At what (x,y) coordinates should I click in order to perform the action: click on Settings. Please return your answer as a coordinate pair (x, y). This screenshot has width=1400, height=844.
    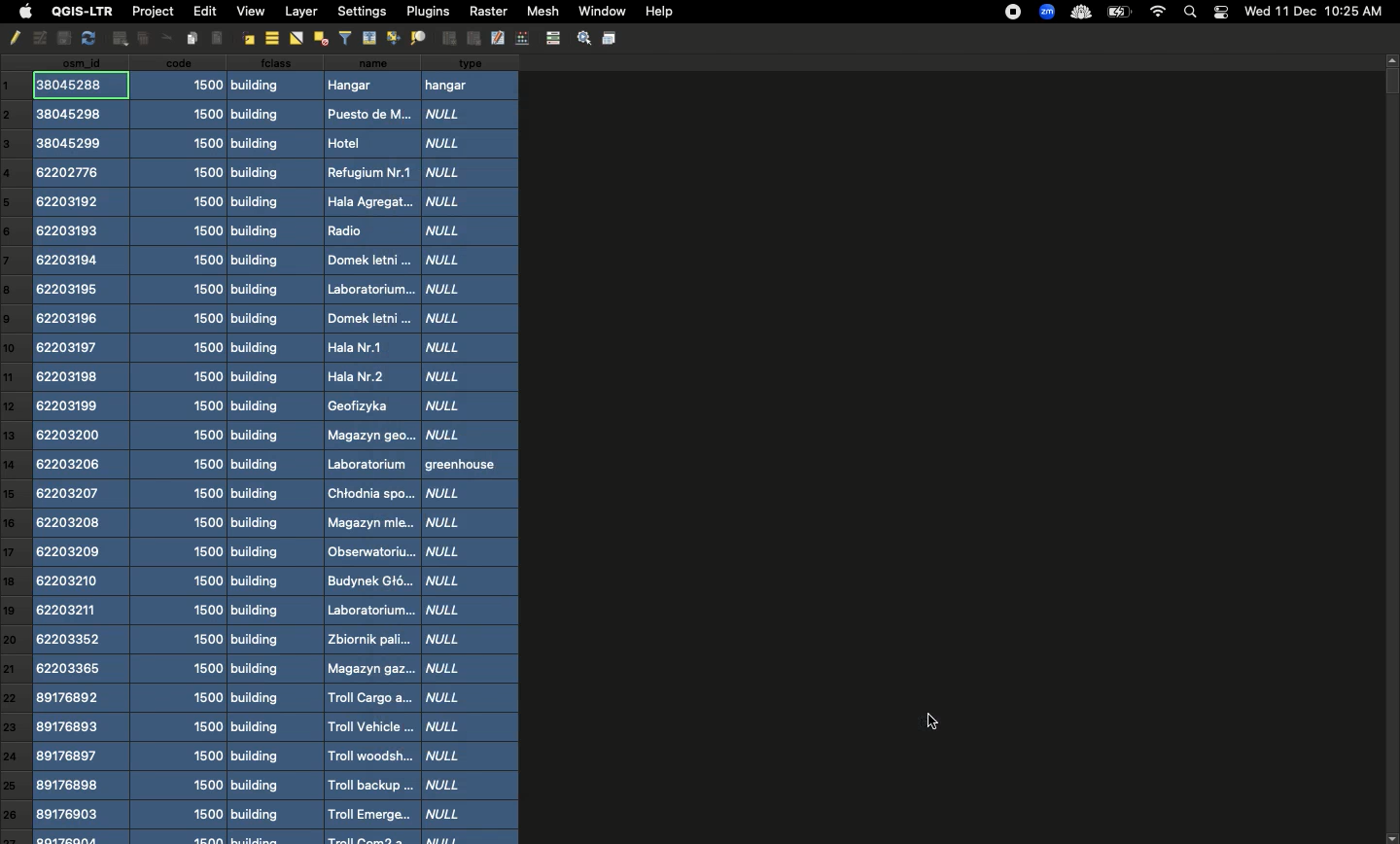
    Looking at the image, I should click on (361, 11).